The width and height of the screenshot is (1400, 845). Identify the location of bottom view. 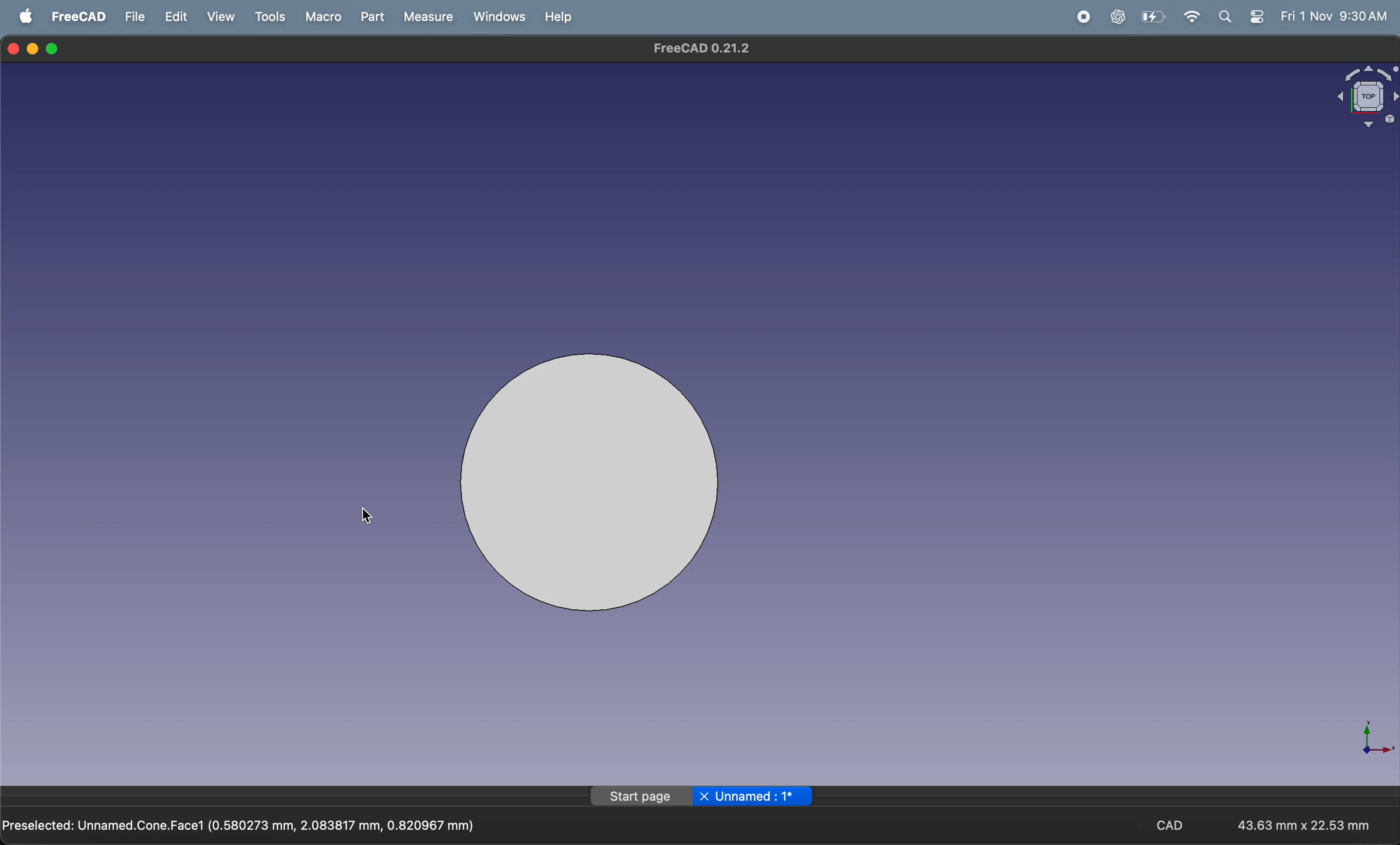
(606, 487).